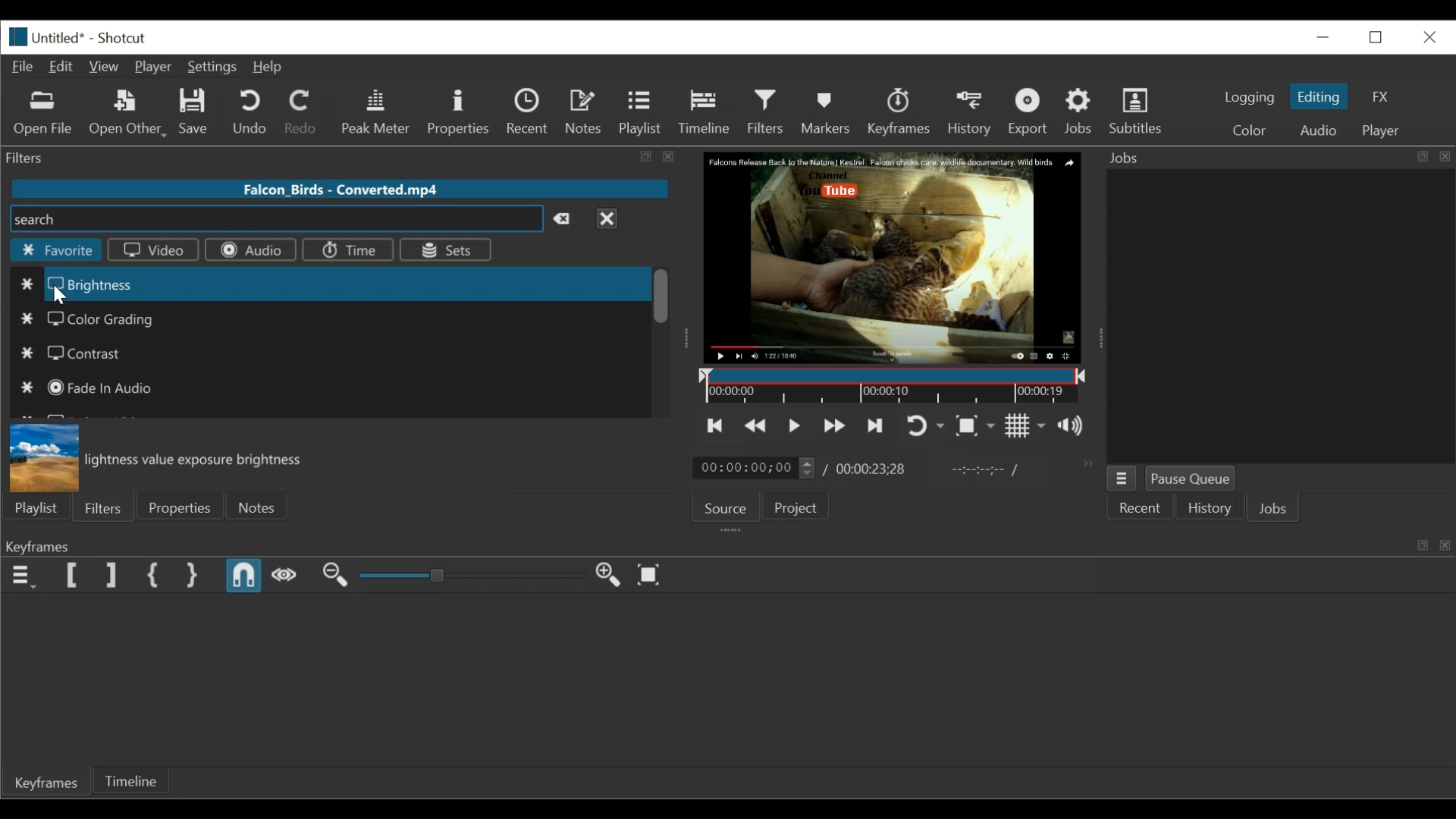  What do you see at coordinates (977, 426) in the screenshot?
I see `Toggle zoom` at bounding box center [977, 426].